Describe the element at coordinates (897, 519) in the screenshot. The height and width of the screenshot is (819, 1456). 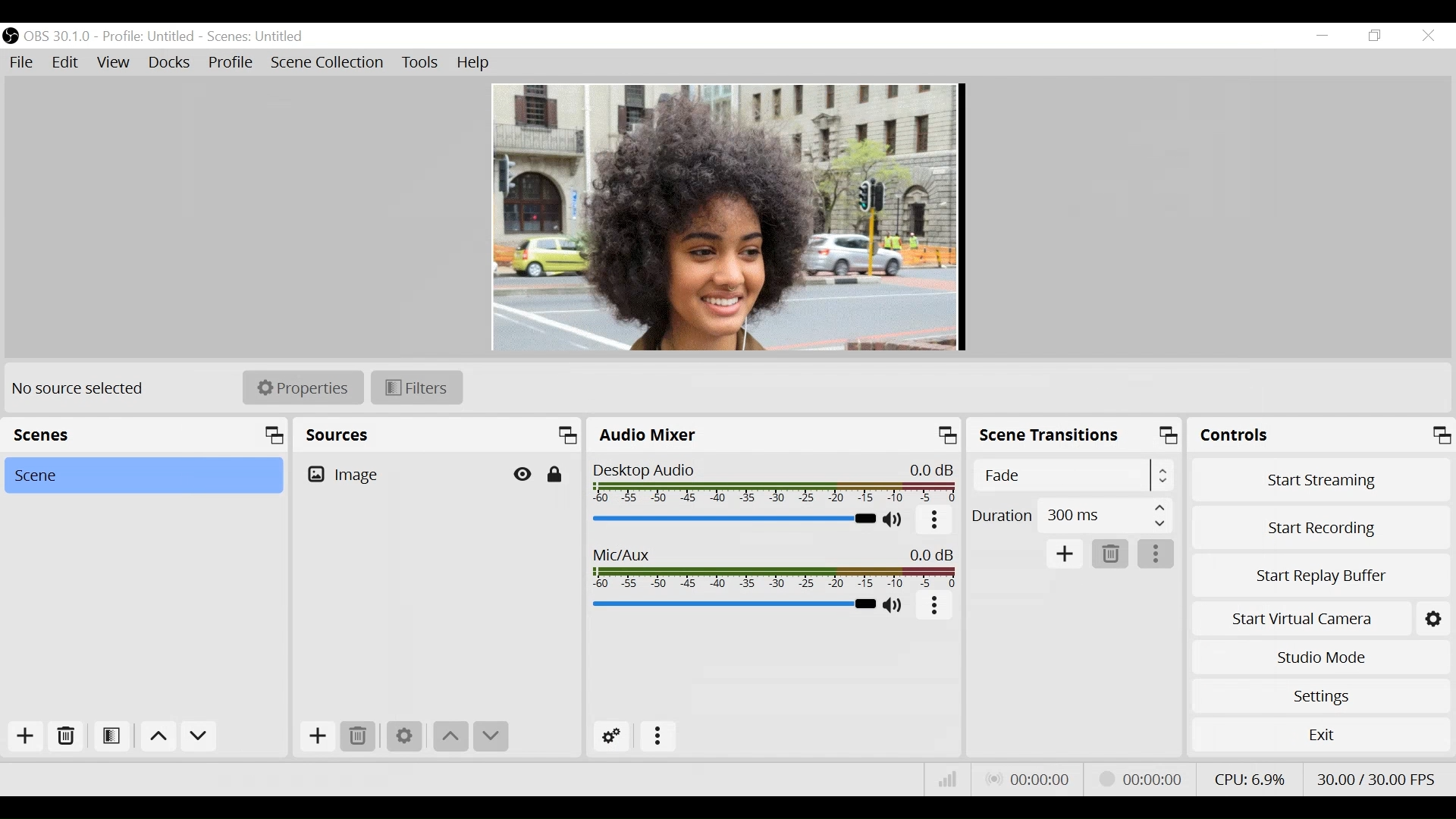
I see `(un)mute` at that location.